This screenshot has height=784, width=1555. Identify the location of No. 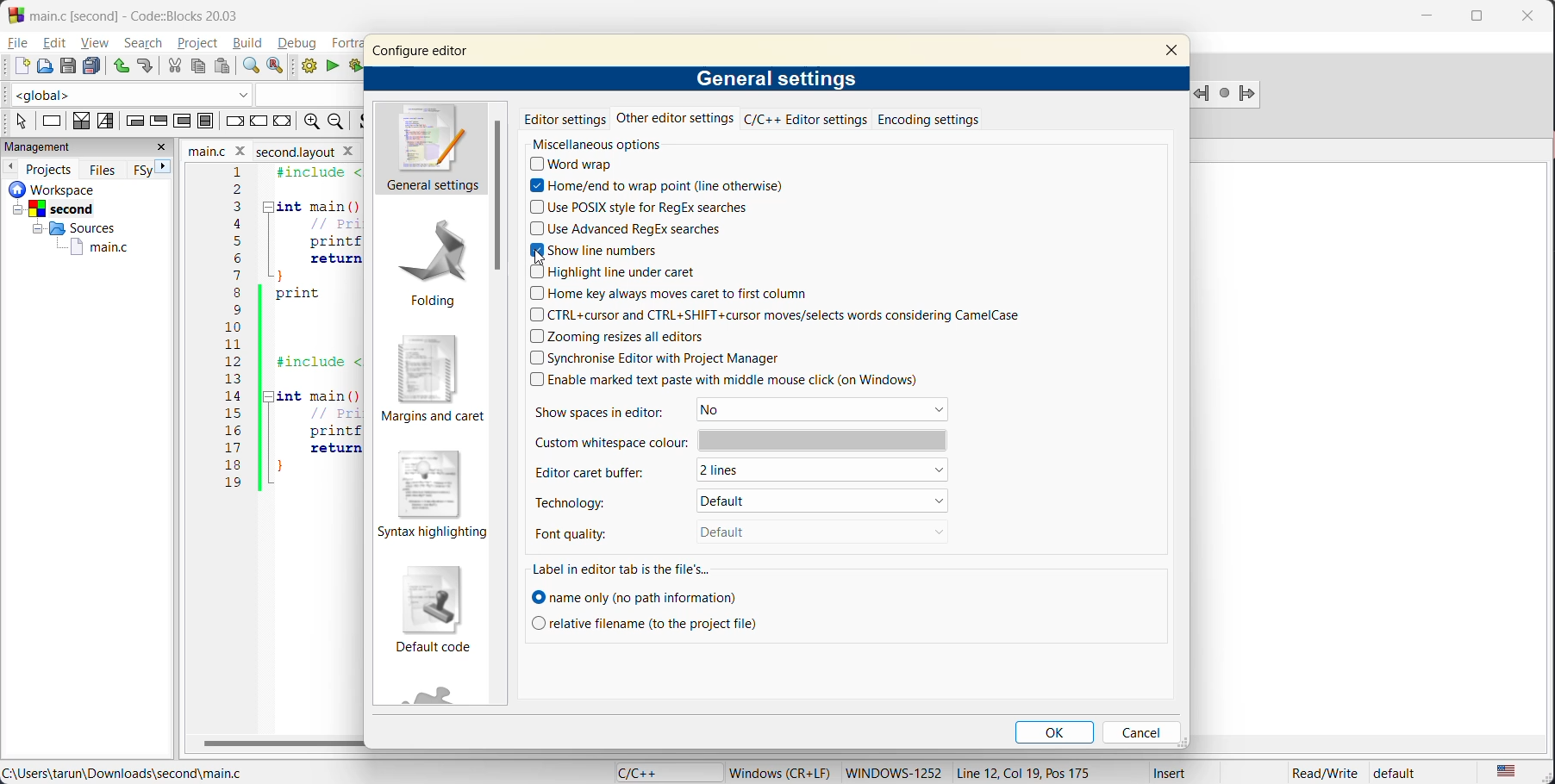
(827, 410).